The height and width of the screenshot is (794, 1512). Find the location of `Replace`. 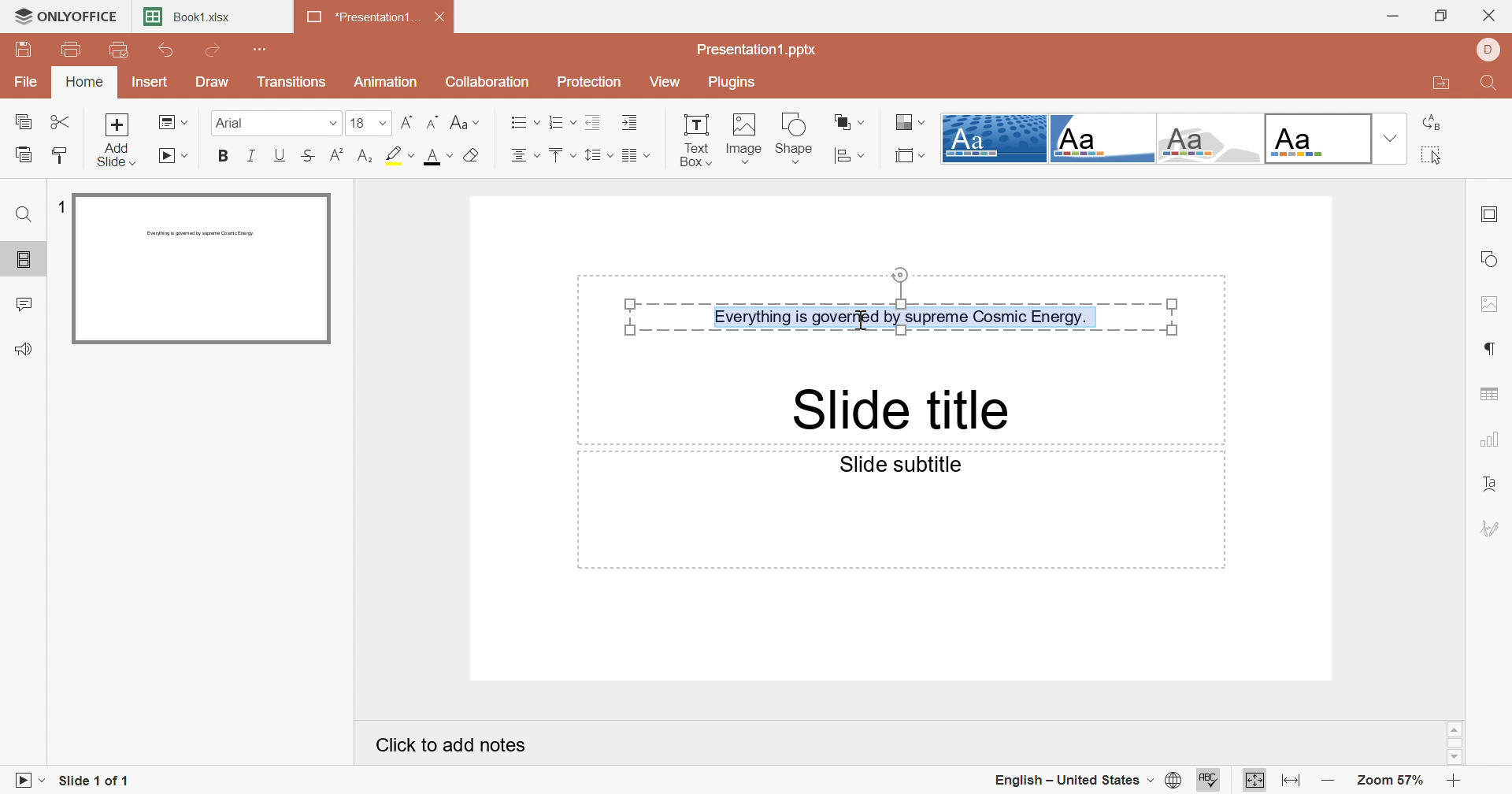

Replace is located at coordinates (1432, 120).